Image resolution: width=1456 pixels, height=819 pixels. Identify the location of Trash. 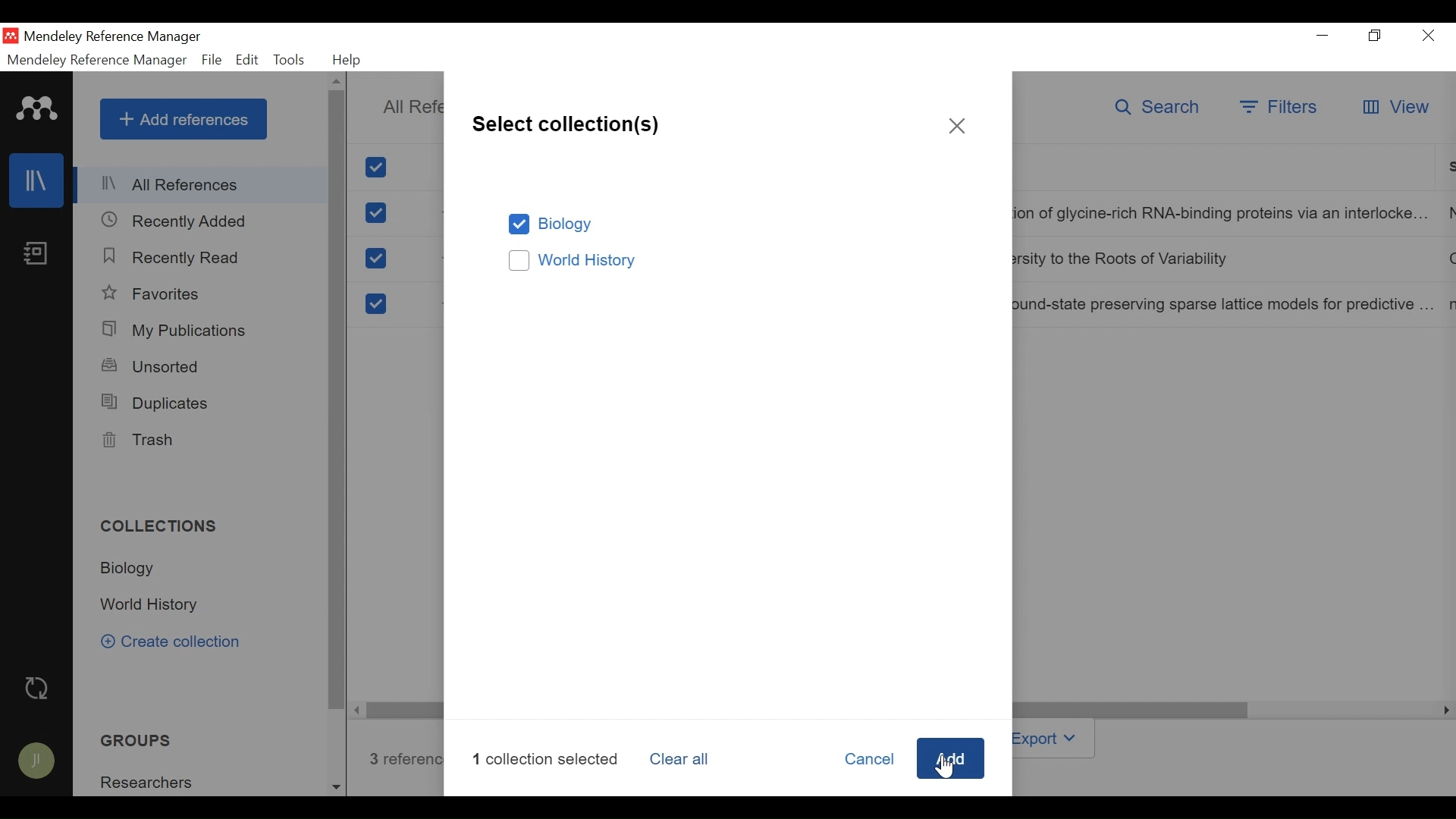
(139, 441).